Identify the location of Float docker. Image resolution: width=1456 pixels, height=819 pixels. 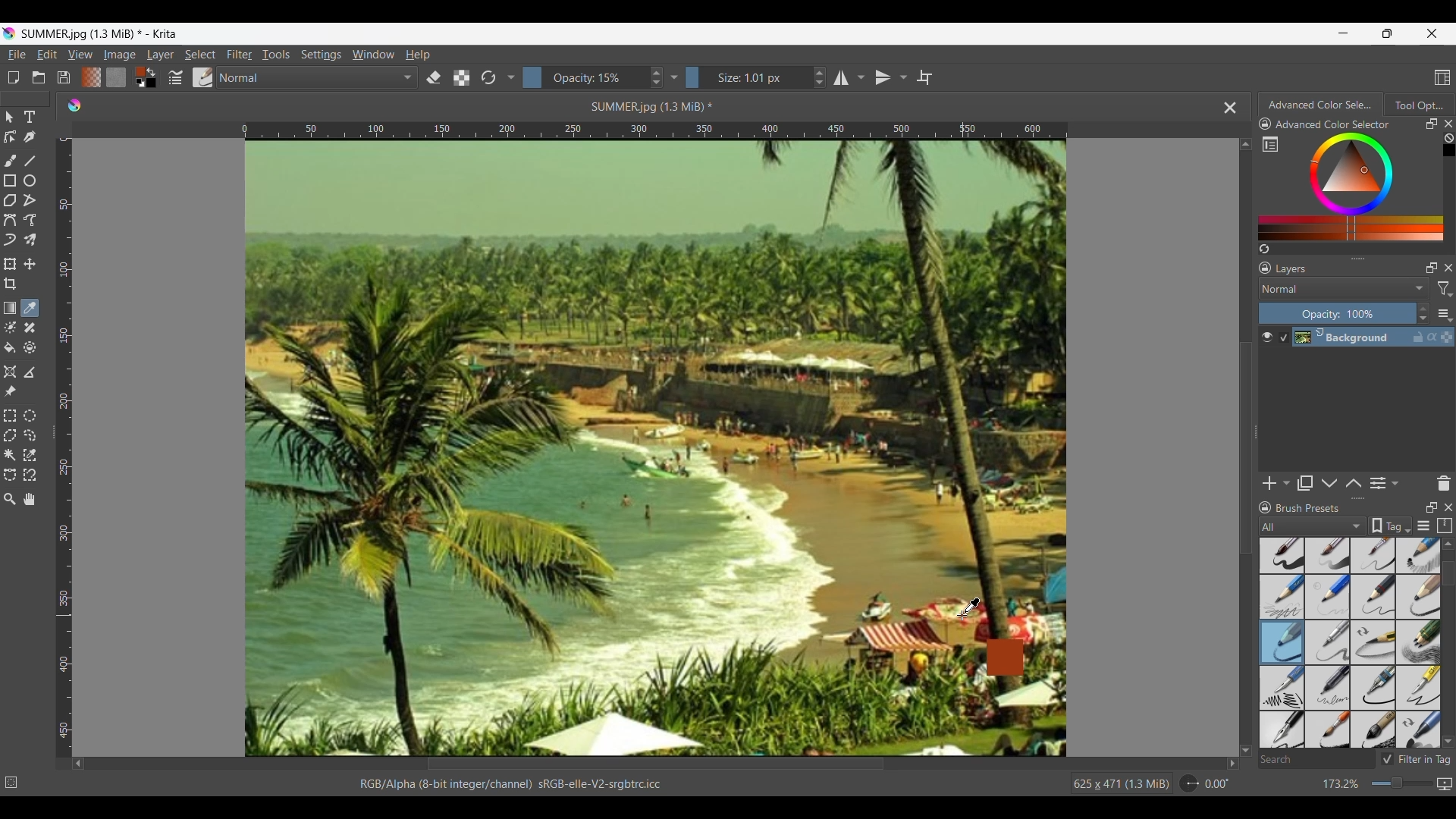
(1432, 124).